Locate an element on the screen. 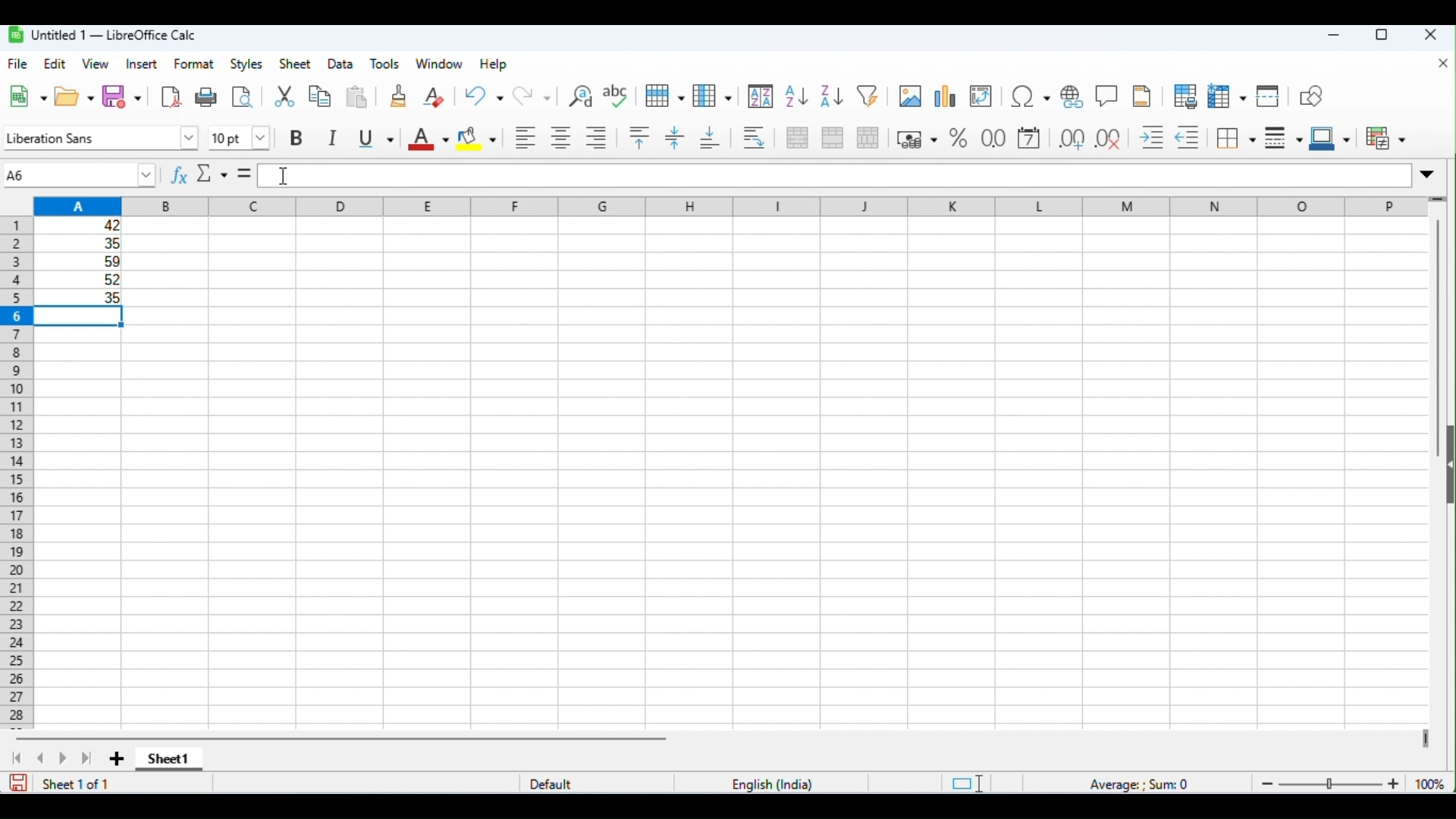  horizontal scroll bar is located at coordinates (346, 739).